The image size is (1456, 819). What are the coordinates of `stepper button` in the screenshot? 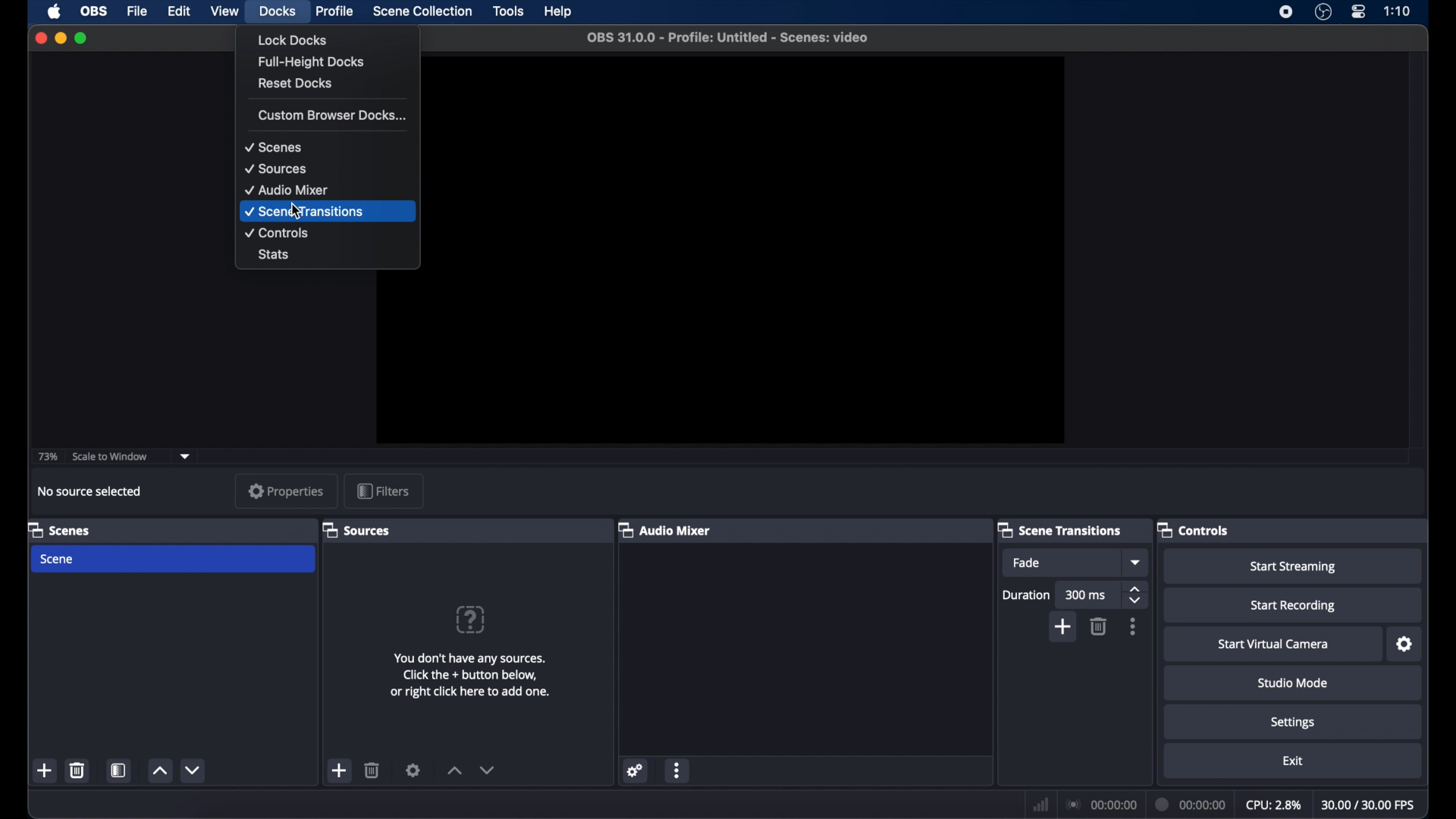 It's located at (1136, 595).